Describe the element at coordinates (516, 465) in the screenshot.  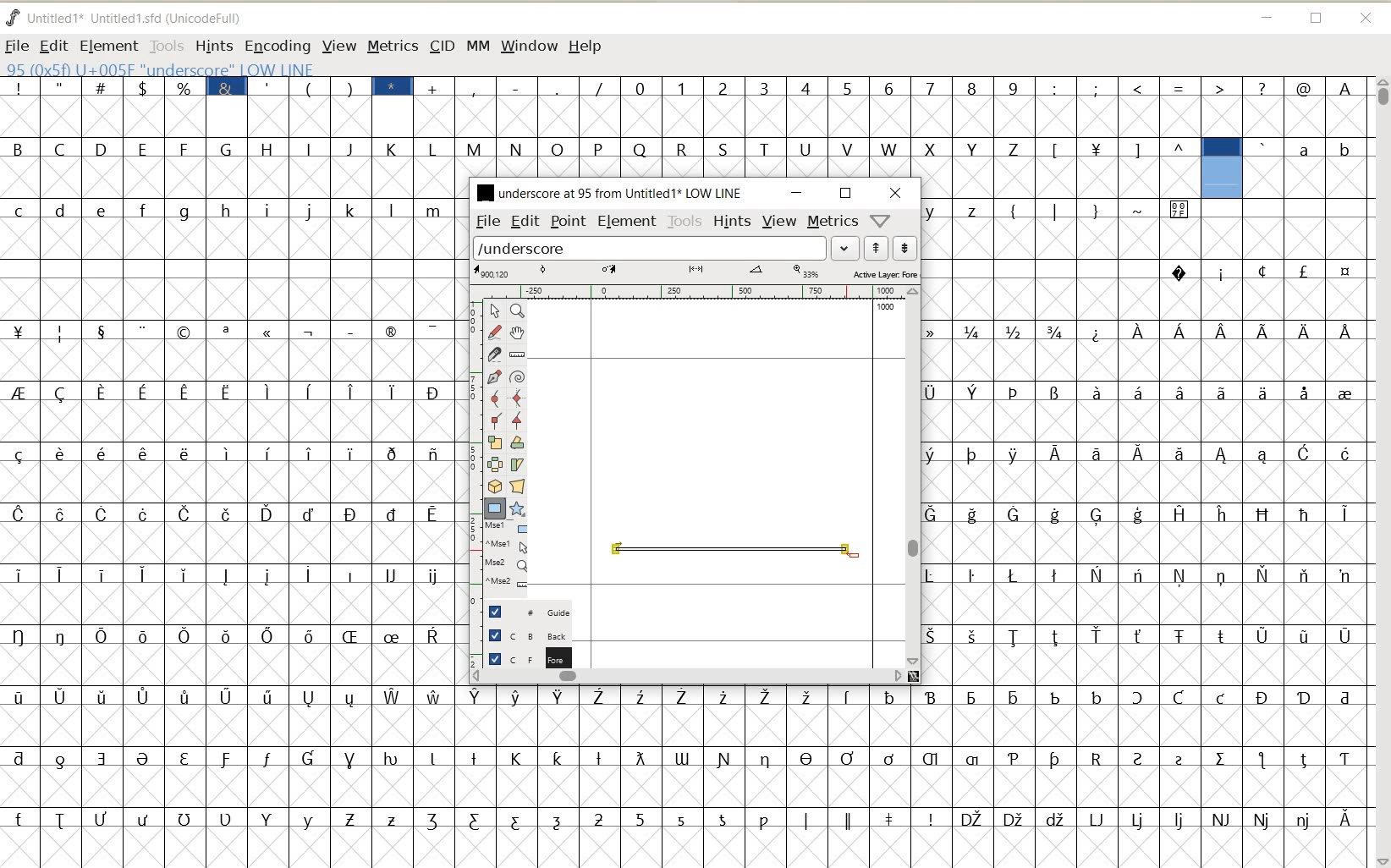
I see `skew the selection` at that location.